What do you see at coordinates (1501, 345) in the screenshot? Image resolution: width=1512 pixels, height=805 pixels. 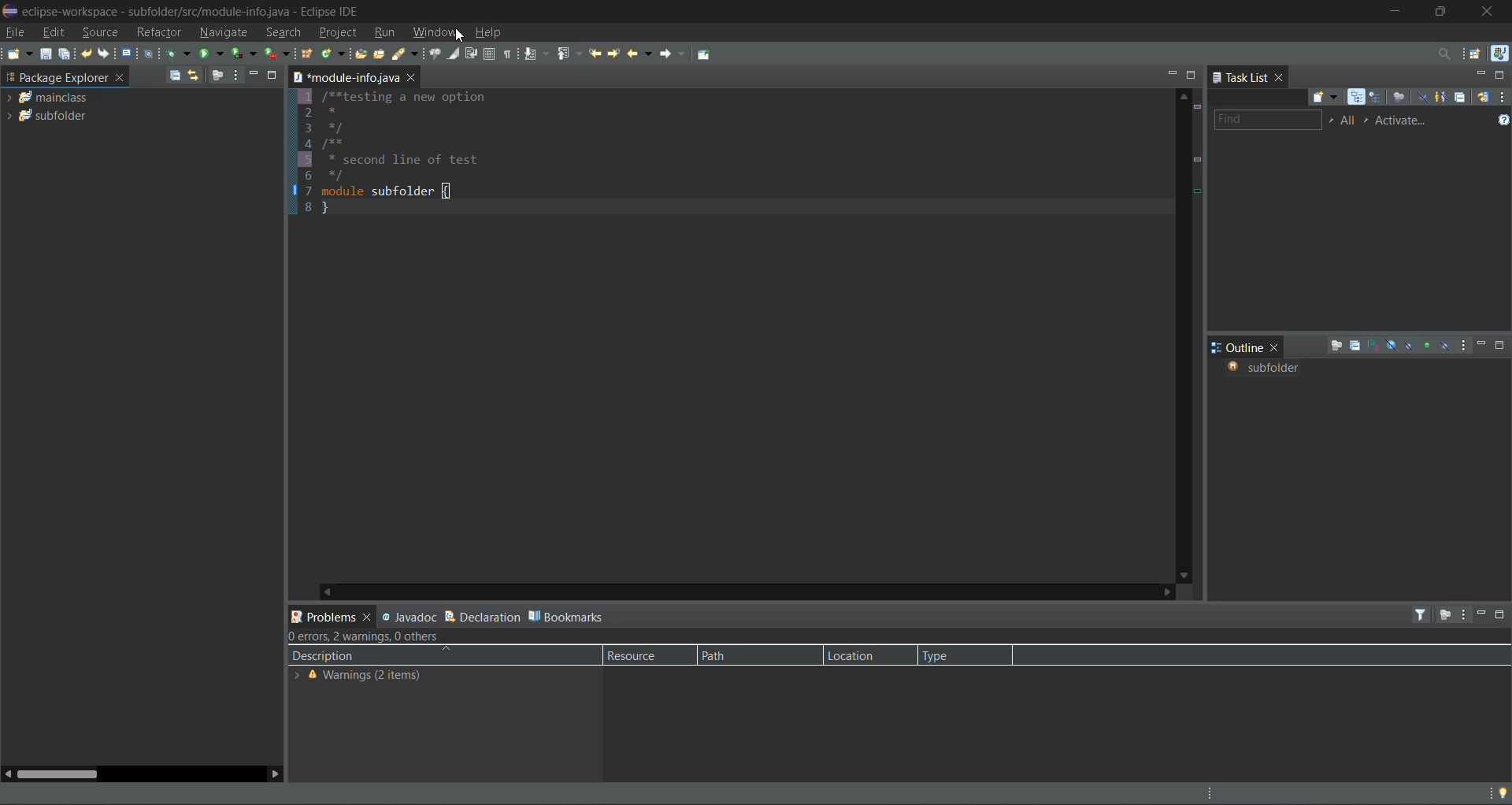 I see `maximize` at bounding box center [1501, 345].